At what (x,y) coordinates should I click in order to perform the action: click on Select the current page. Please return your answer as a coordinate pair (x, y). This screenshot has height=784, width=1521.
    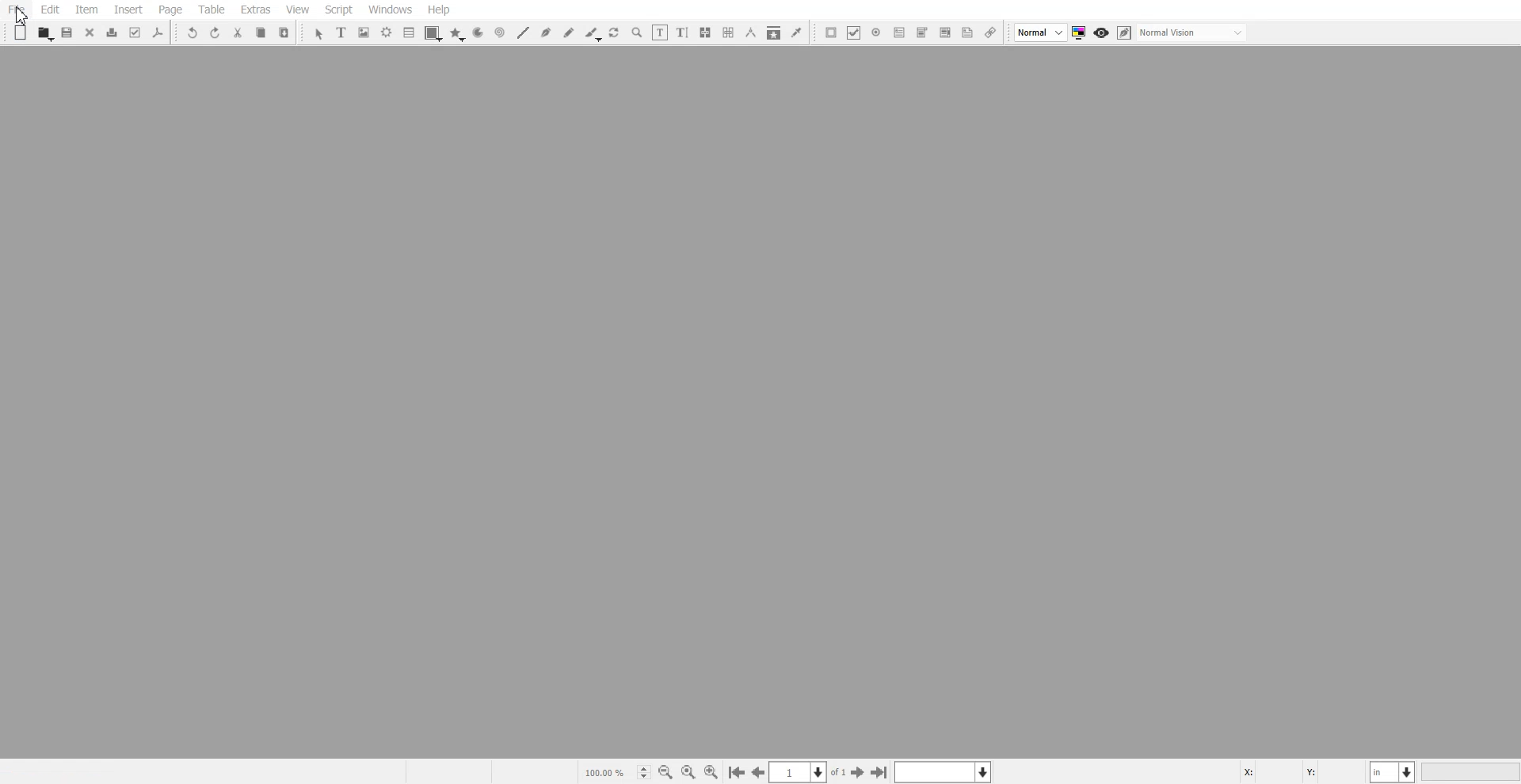
    Looking at the image, I should click on (809, 772).